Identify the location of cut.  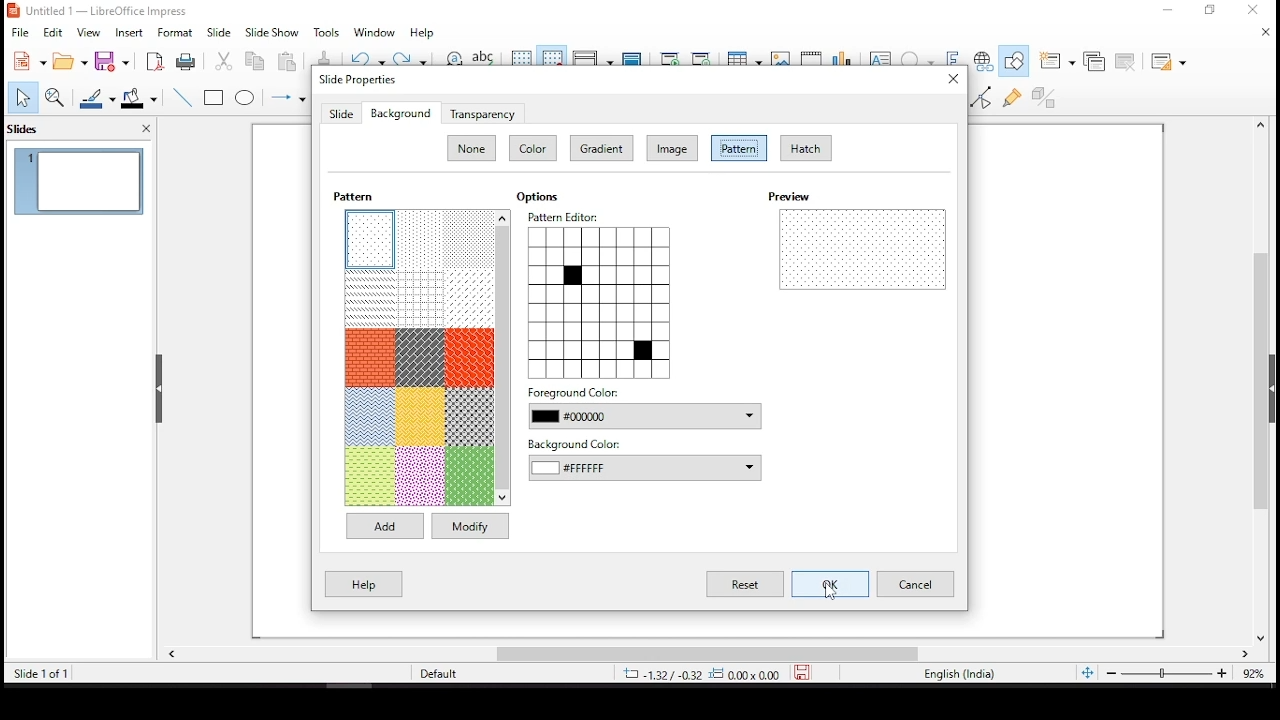
(223, 61).